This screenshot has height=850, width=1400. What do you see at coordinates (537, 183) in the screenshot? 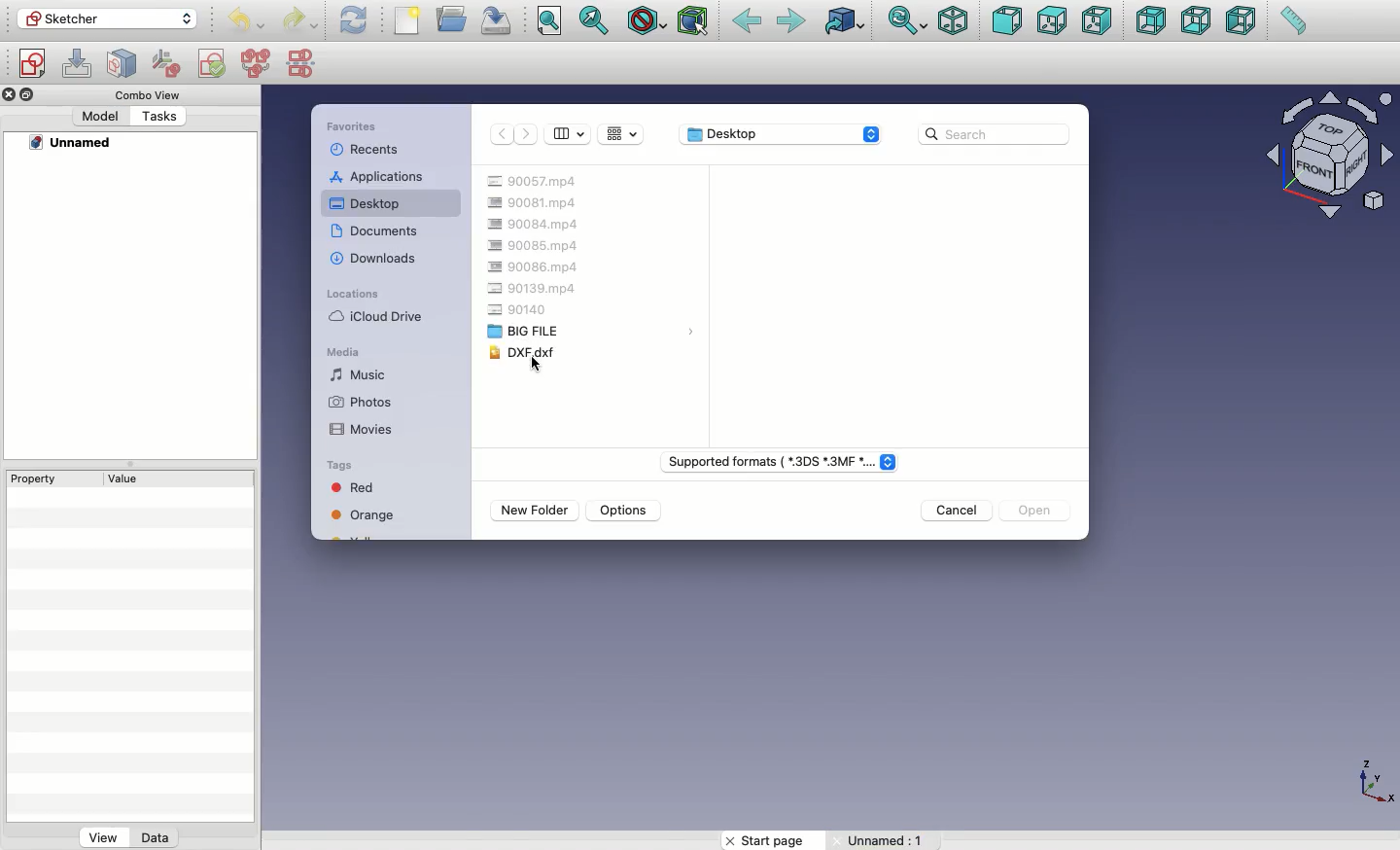
I see `90057.mp4` at bounding box center [537, 183].